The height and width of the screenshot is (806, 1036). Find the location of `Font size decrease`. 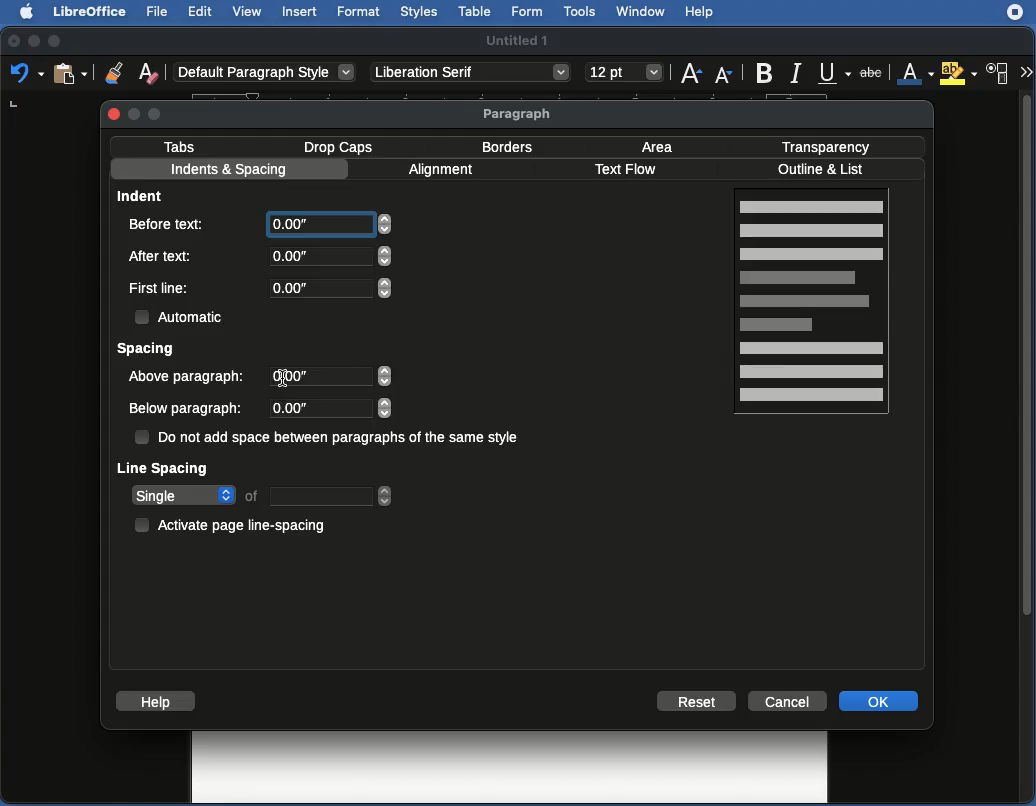

Font size decrease is located at coordinates (726, 75).